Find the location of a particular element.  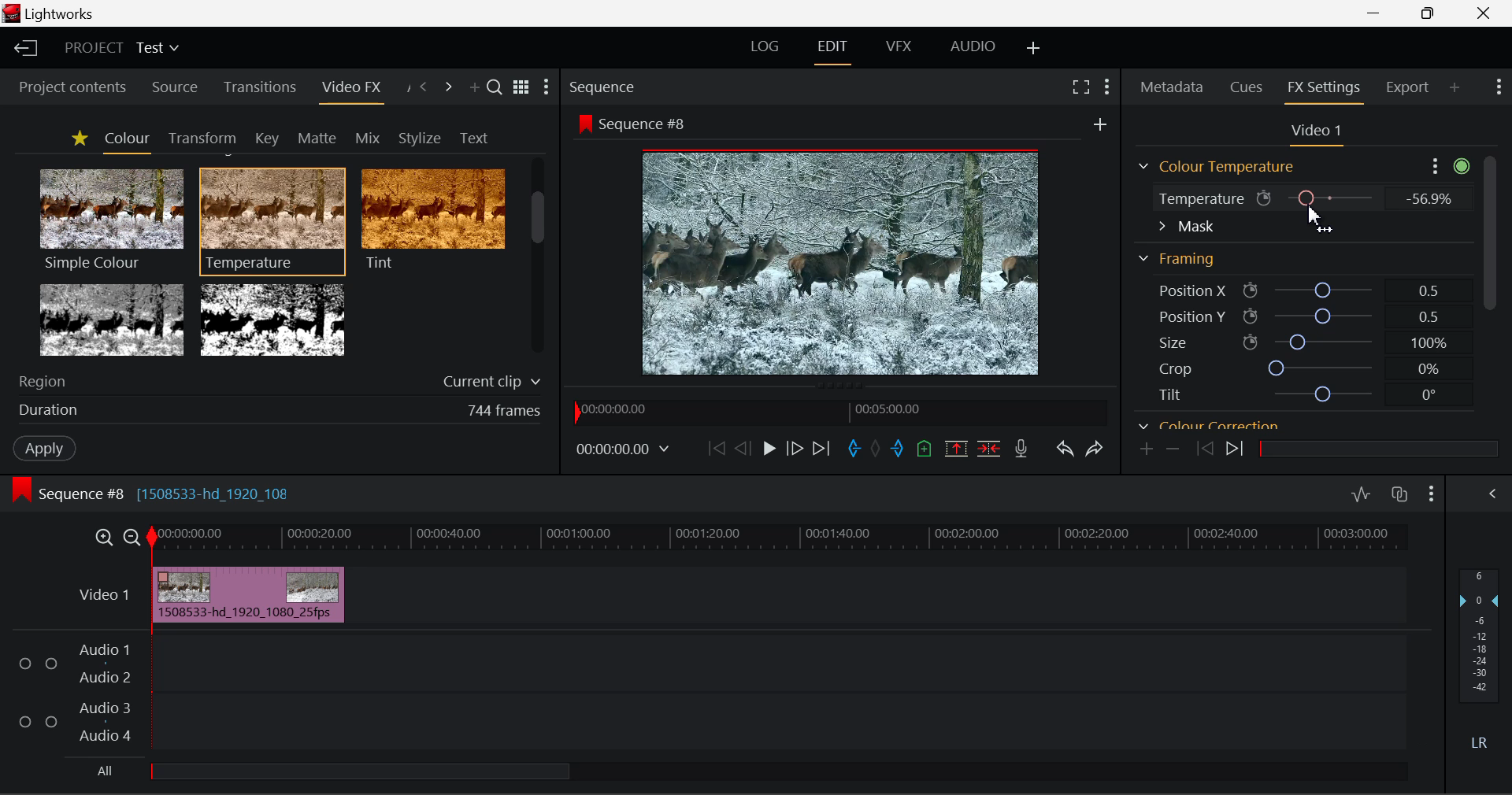

Previous Panel is located at coordinates (425, 89).